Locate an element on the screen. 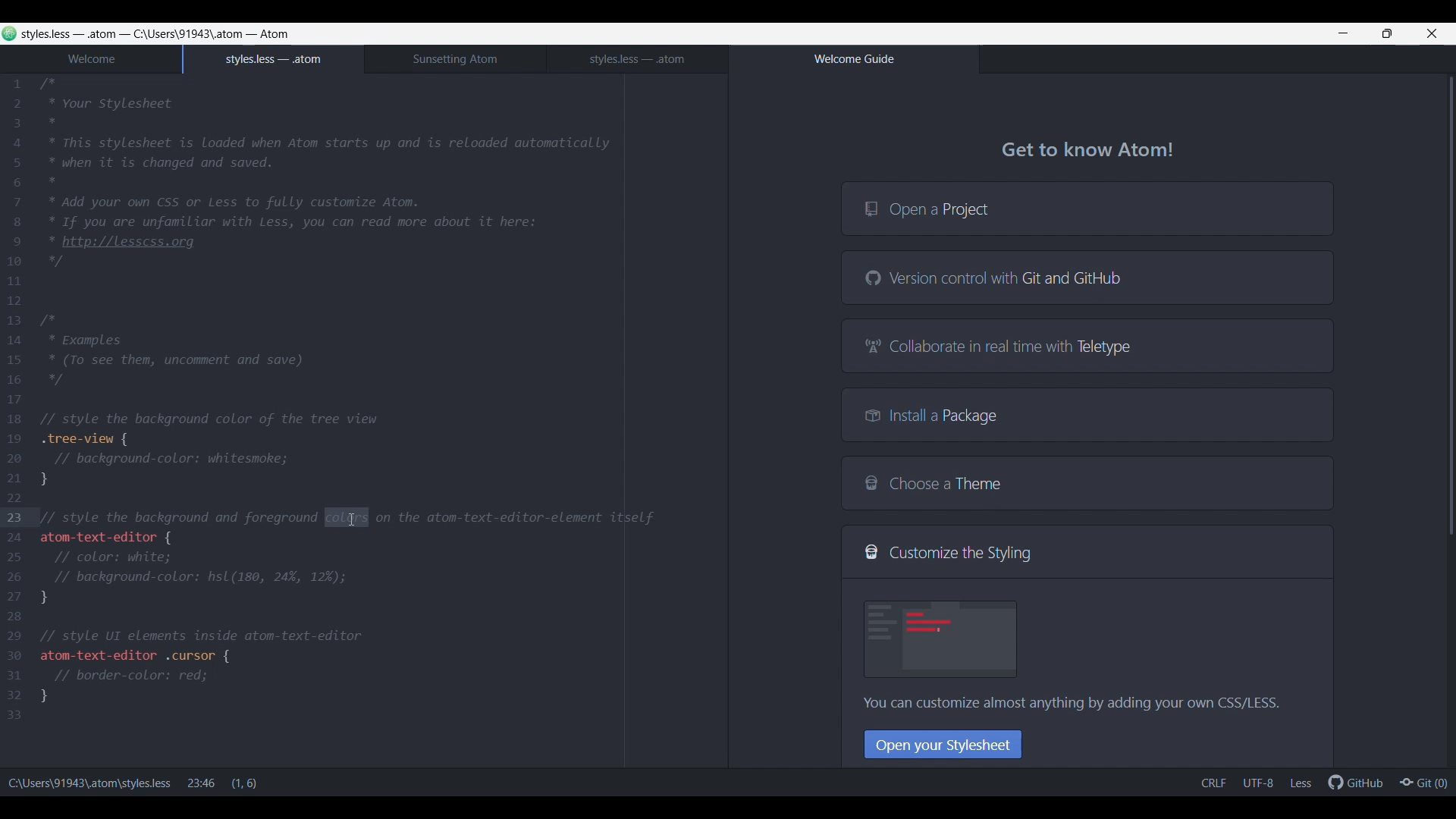 This screenshot has width=1456, height=819. Current tab, highlighted is located at coordinates (274, 59).